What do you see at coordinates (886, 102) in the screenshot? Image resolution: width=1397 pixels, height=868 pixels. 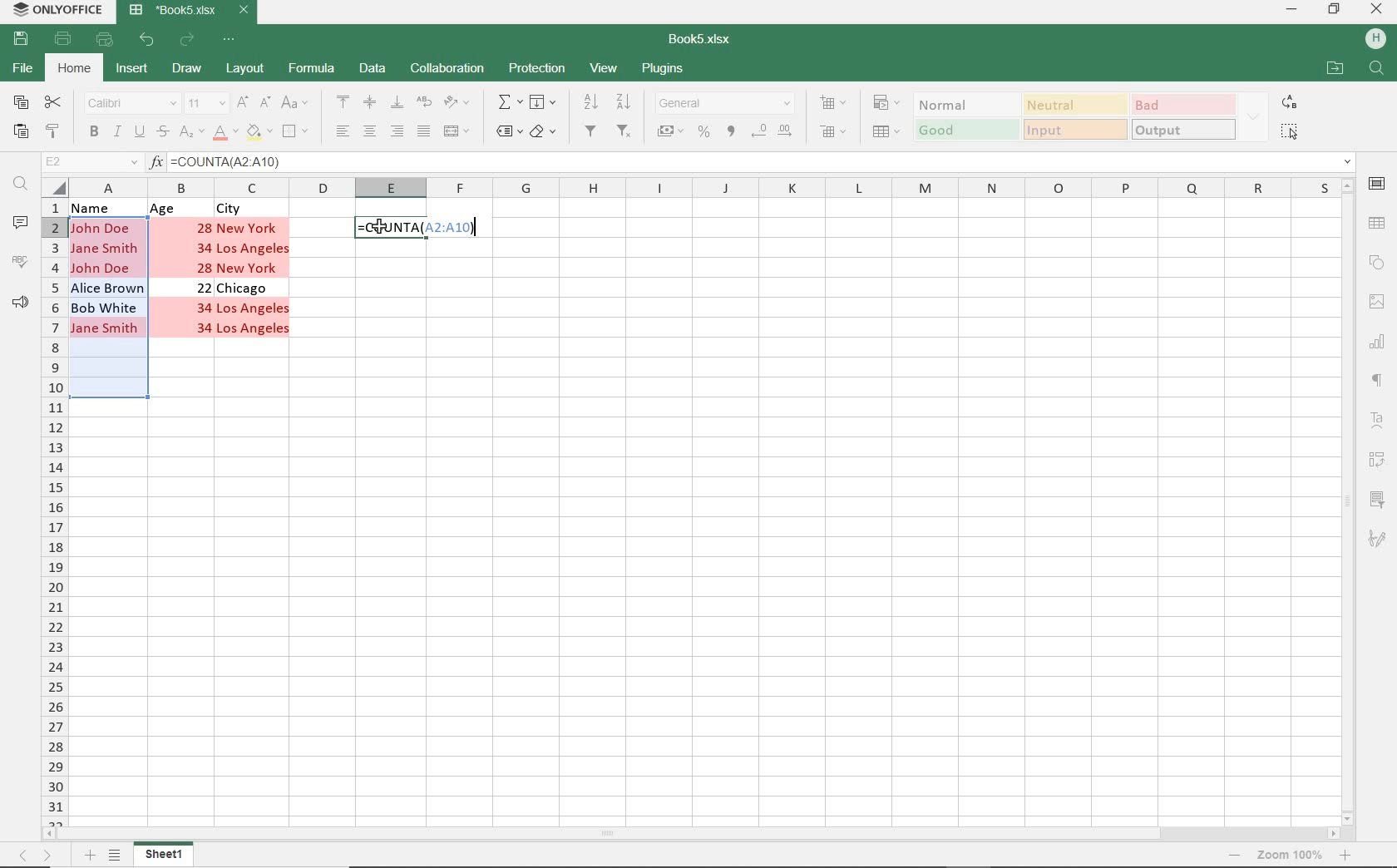 I see `CONDITIONAL FORMATTING` at bounding box center [886, 102].